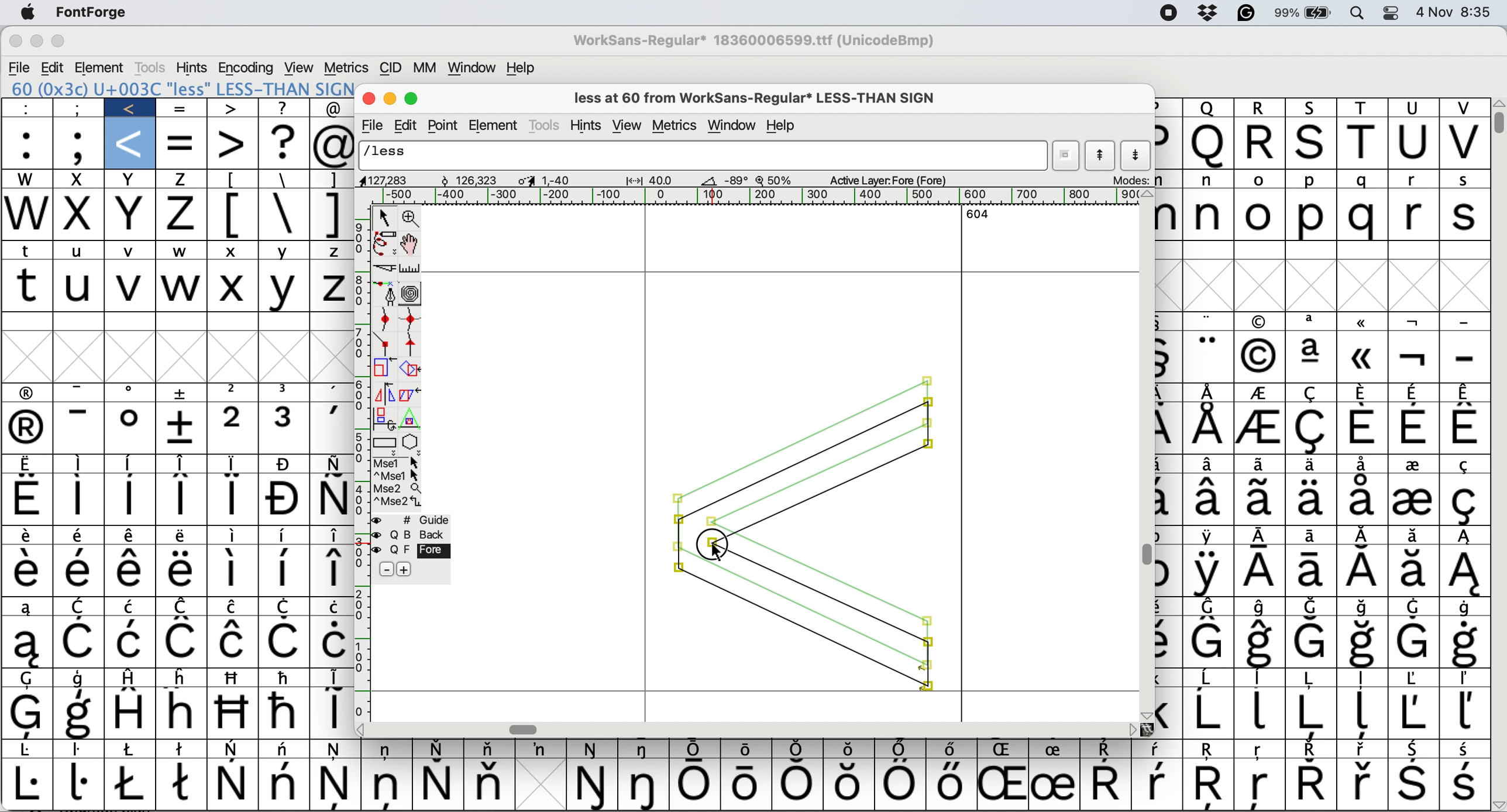 This screenshot has width=1507, height=812. What do you see at coordinates (1361, 679) in the screenshot?
I see `Symbol` at bounding box center [1361, 679].